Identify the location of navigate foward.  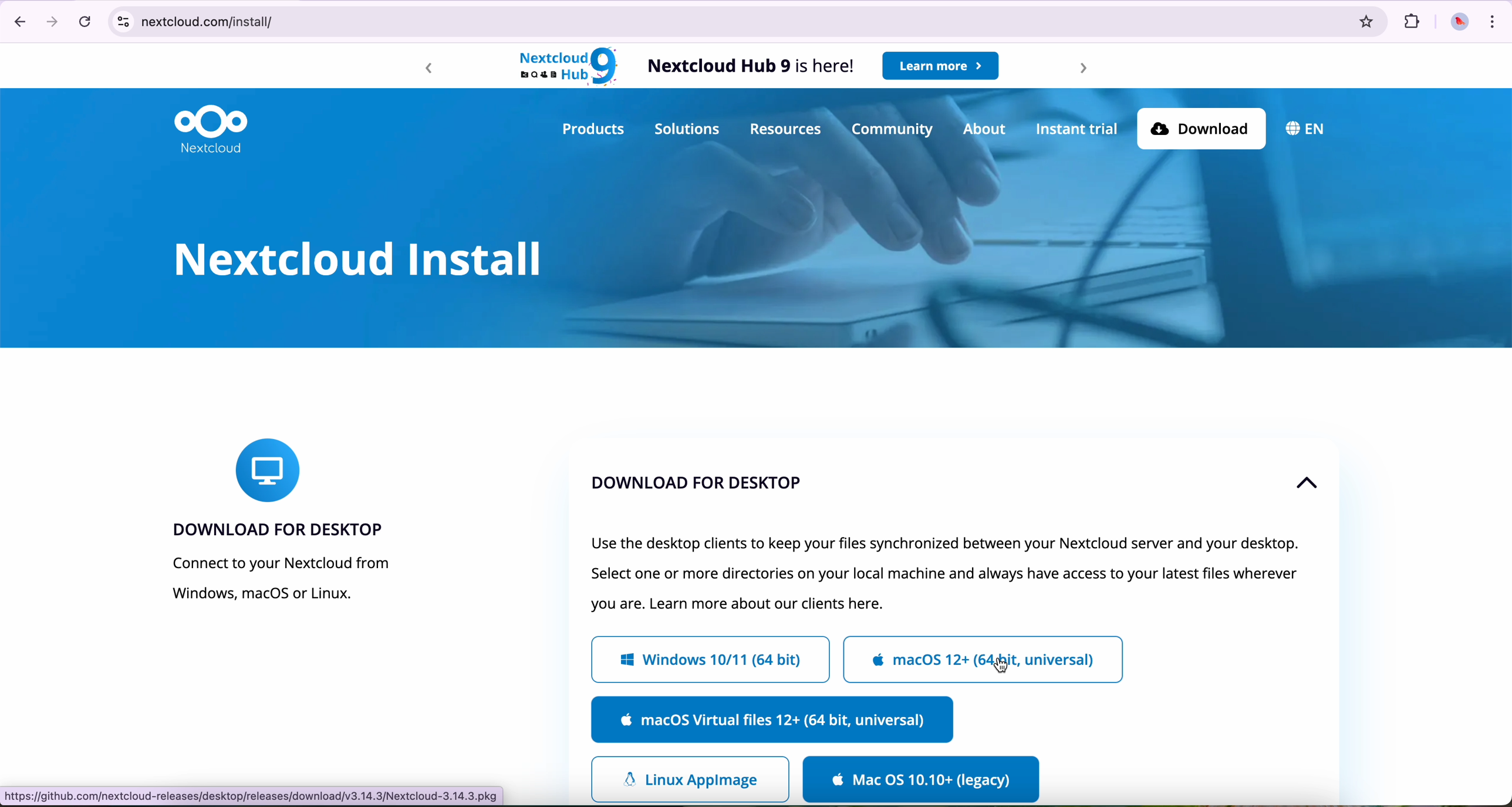
(53, 23).